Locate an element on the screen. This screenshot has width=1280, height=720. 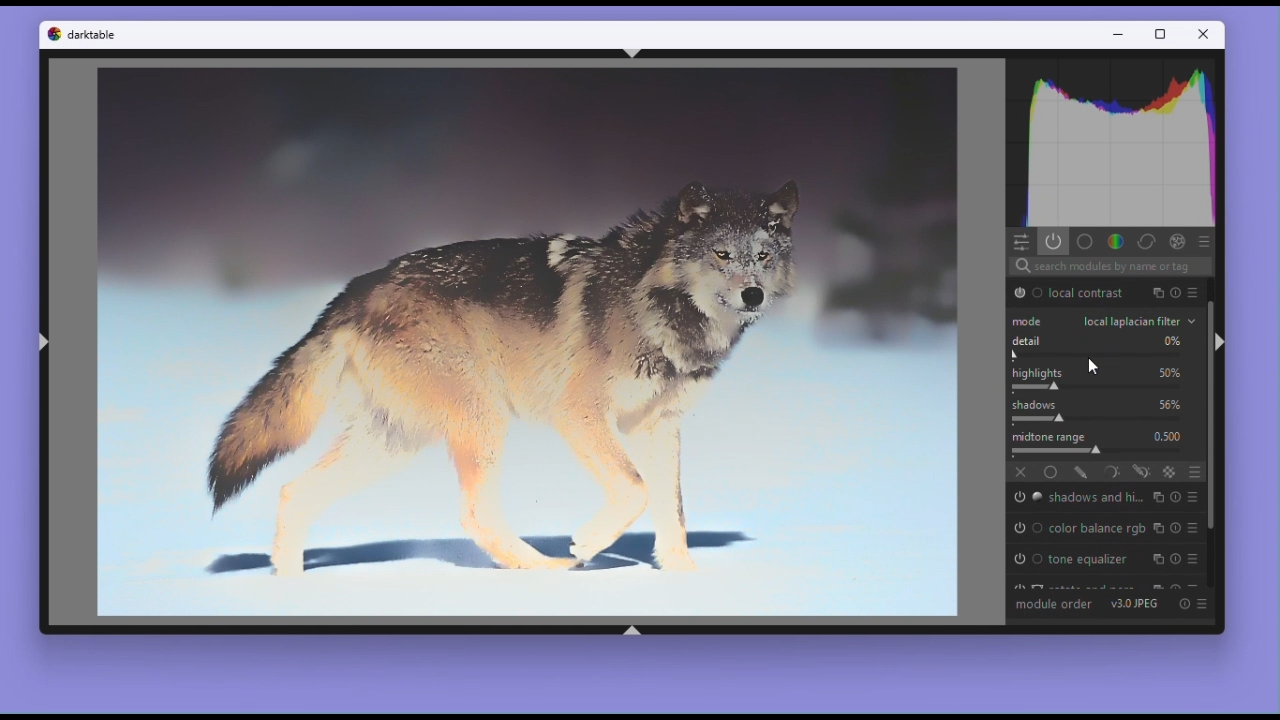
Image is located at coordinates (526, 344).